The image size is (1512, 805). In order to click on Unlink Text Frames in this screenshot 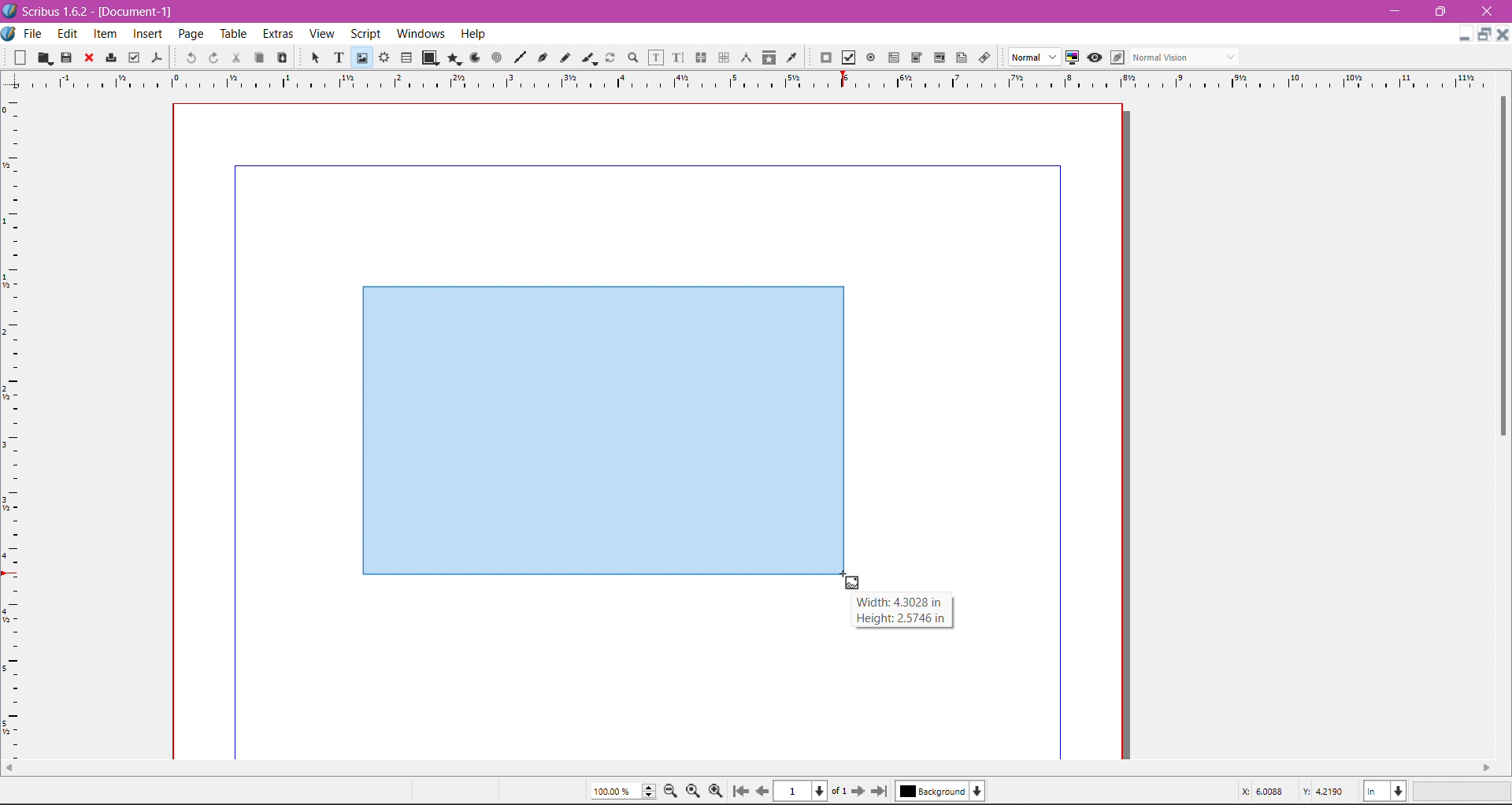, I will do `click(723, 57)`.